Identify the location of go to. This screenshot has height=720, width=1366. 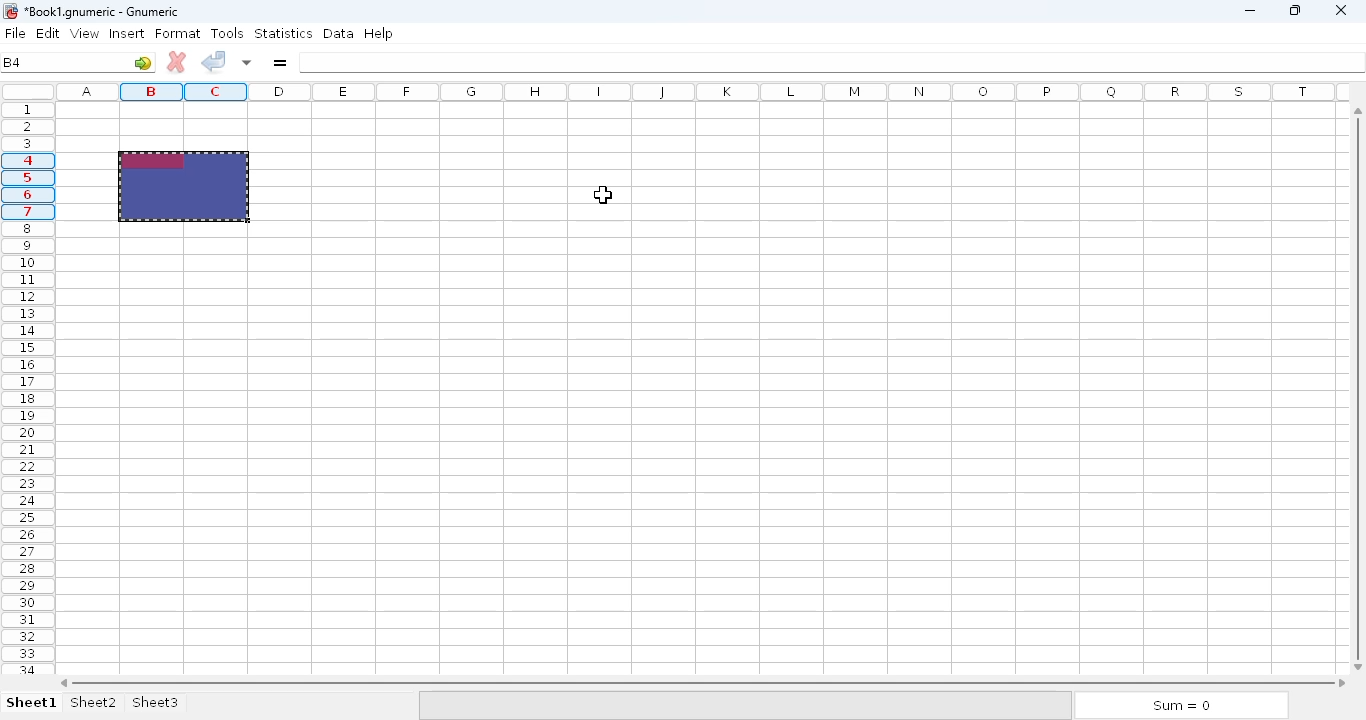
(144, 63).